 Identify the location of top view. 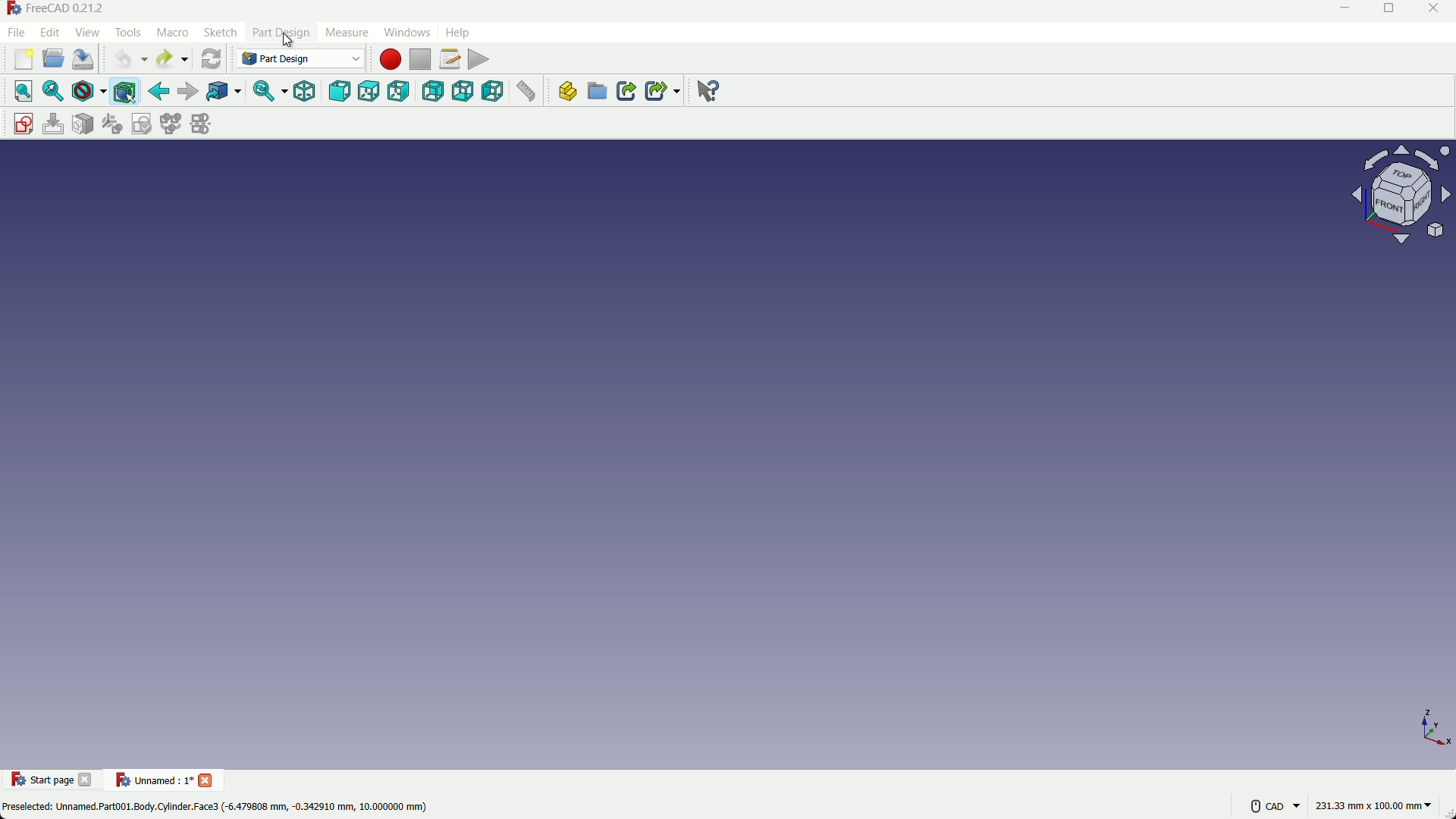
(369, 91).